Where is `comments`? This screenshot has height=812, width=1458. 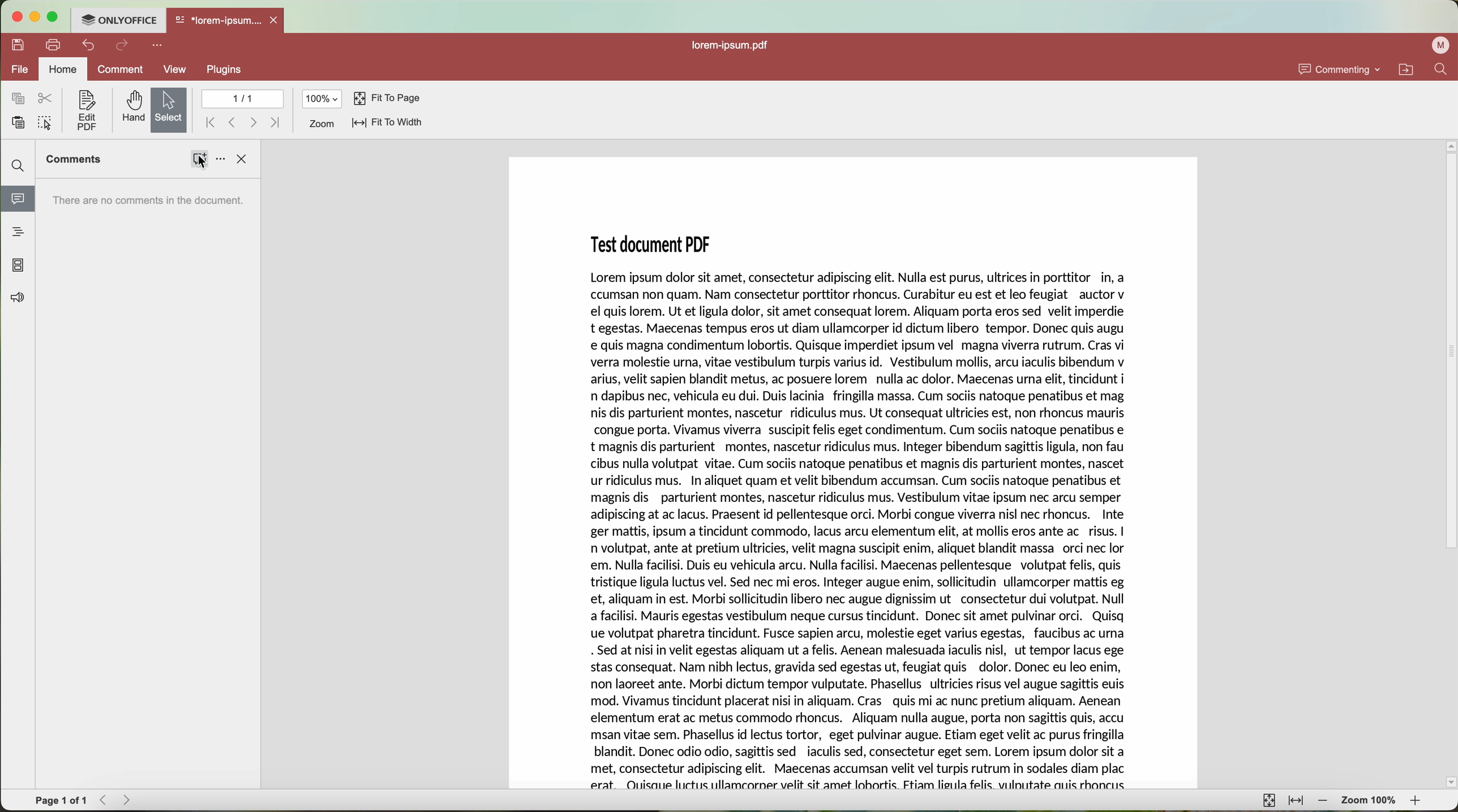
comments is located at coordinates (74, 159).